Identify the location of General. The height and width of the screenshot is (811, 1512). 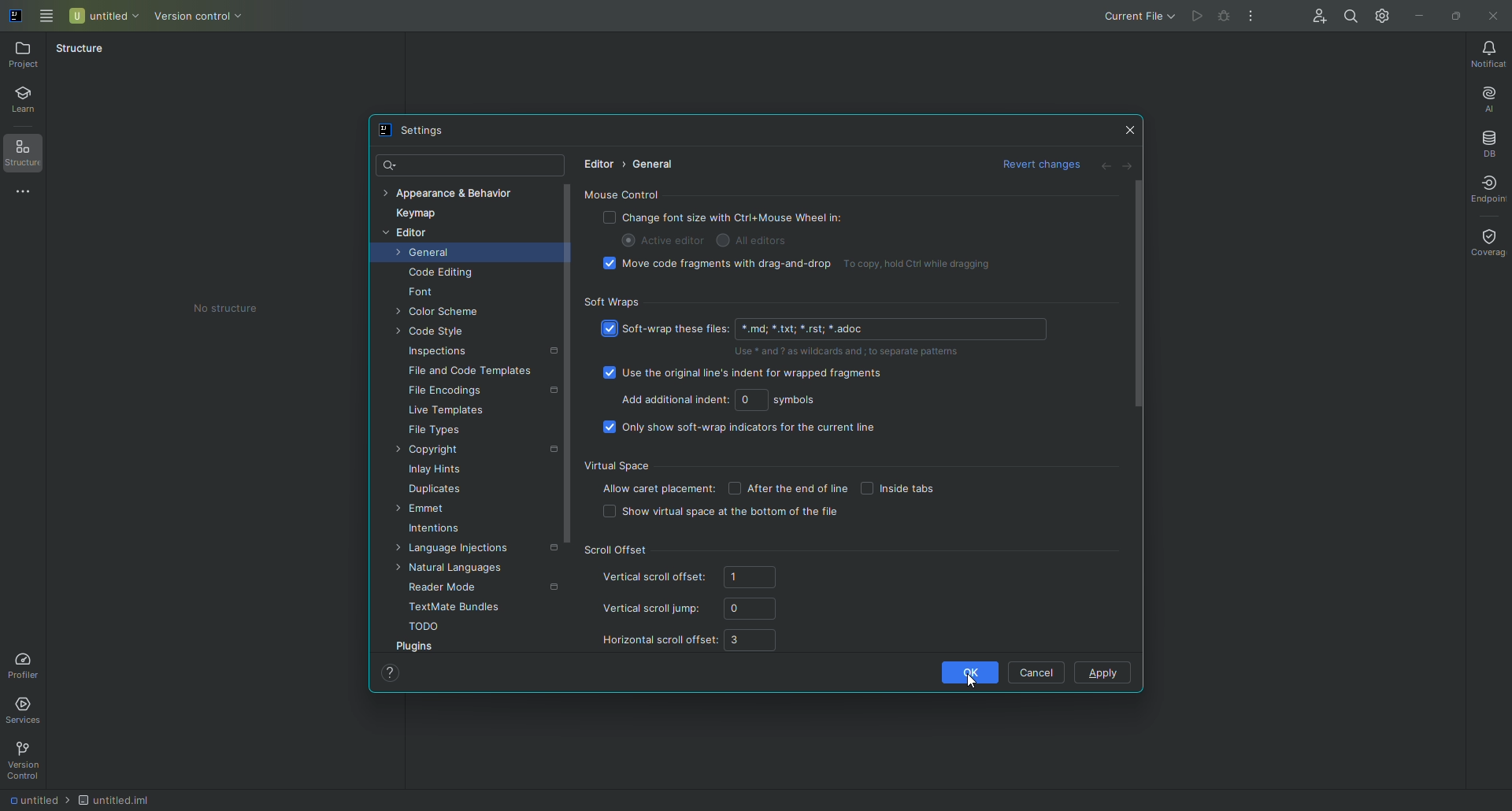
(427, 254).